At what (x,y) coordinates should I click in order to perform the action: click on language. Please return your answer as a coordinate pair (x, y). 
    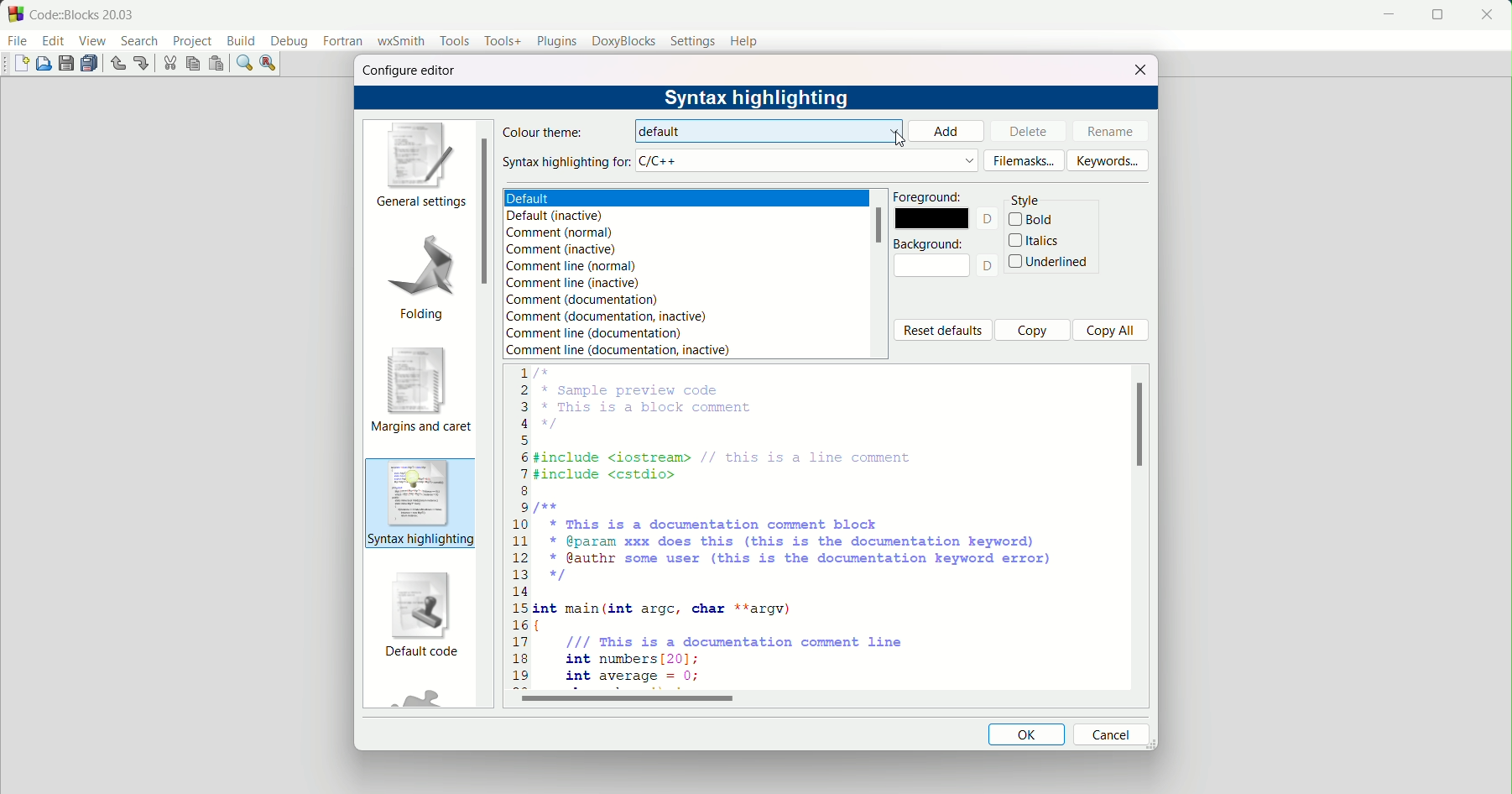
    Looking at the image, I should click on (807, 161).